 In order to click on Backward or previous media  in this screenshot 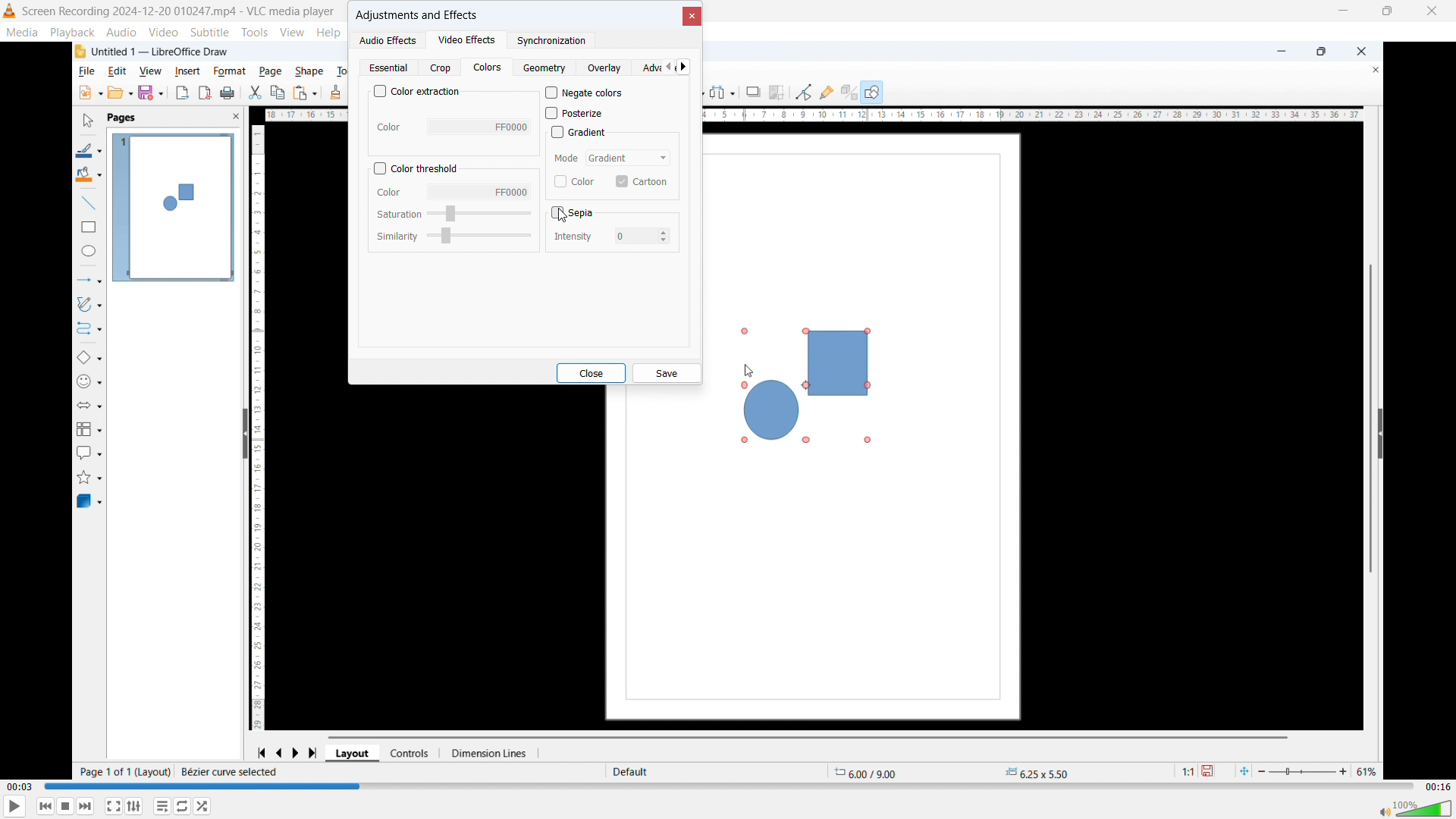, I will do `click(44, 806)`.